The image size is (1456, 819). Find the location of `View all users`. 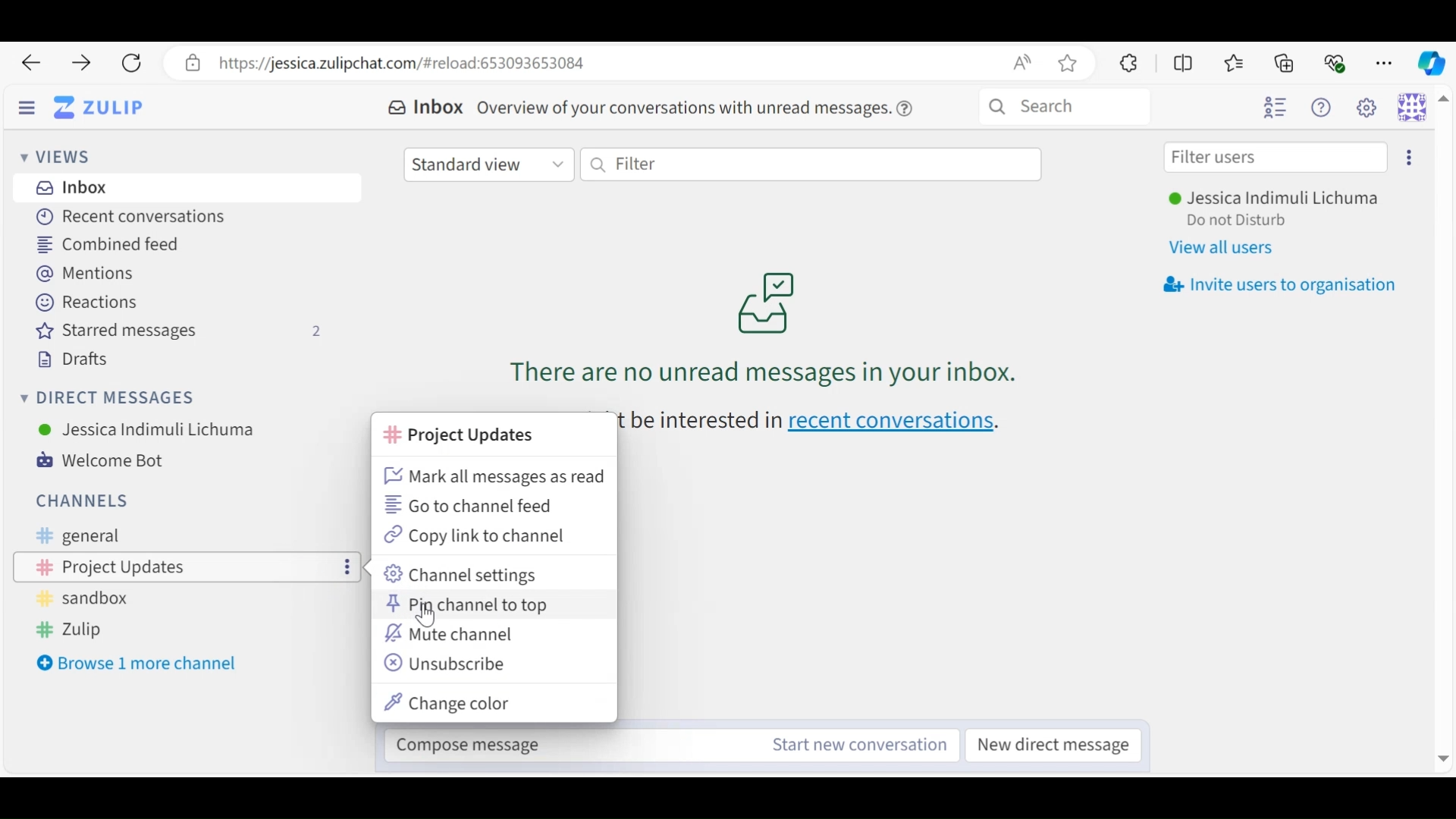

View all users is located at coordinates (1231, 249).